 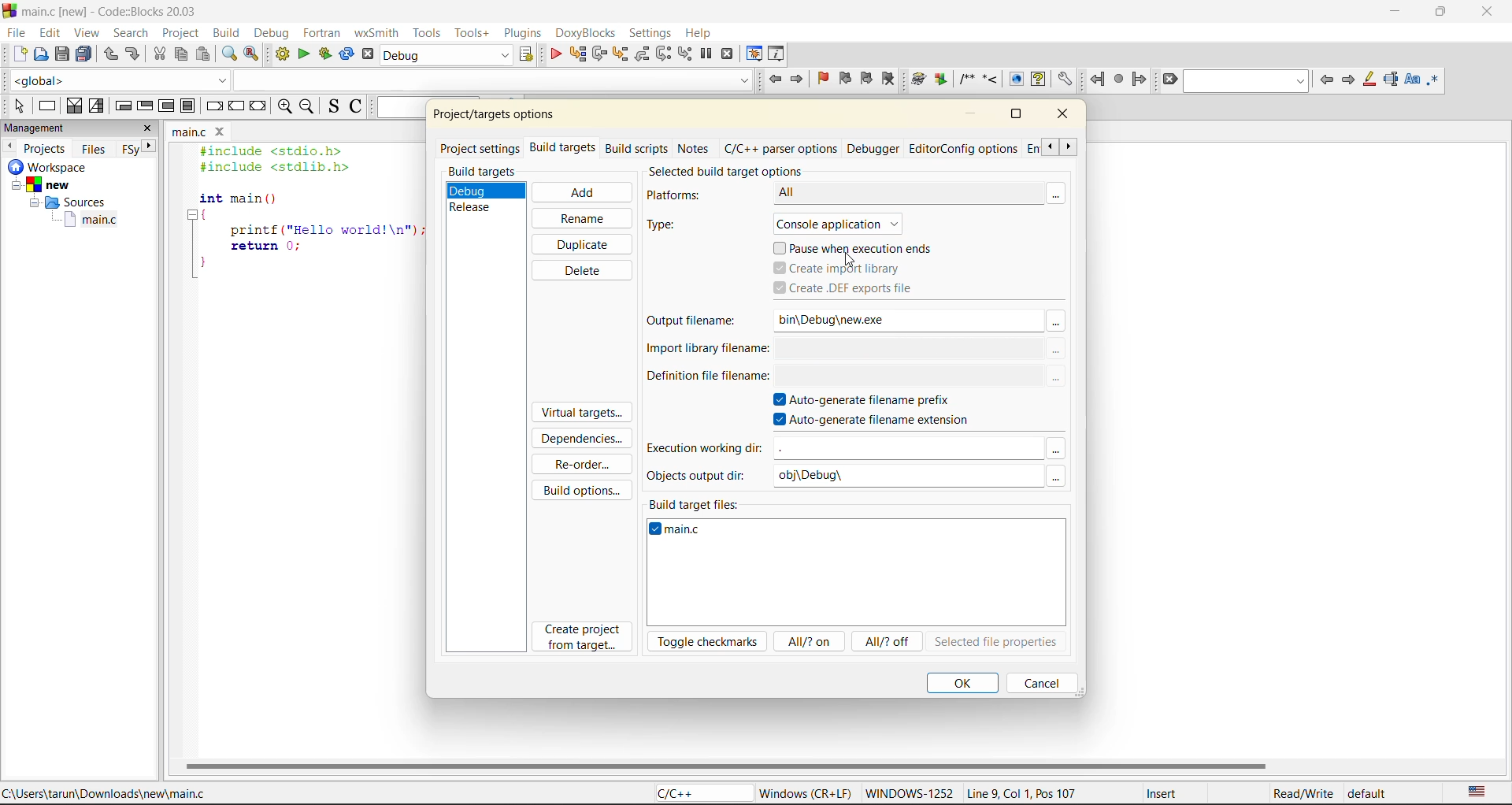 I want to click on build targets, so click(x=484, y=172).